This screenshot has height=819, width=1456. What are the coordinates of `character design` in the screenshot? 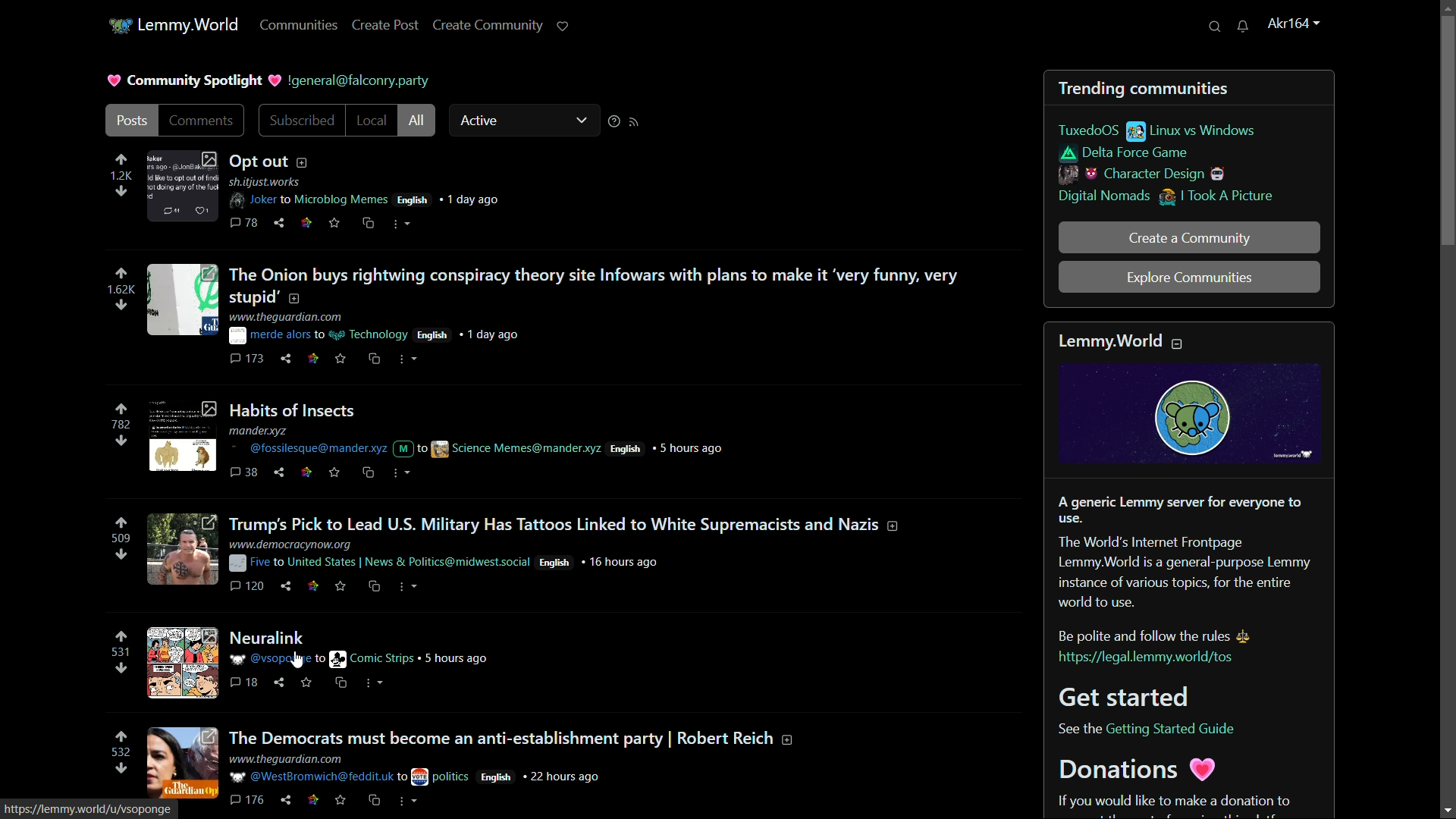 It's located at (1144, 174).